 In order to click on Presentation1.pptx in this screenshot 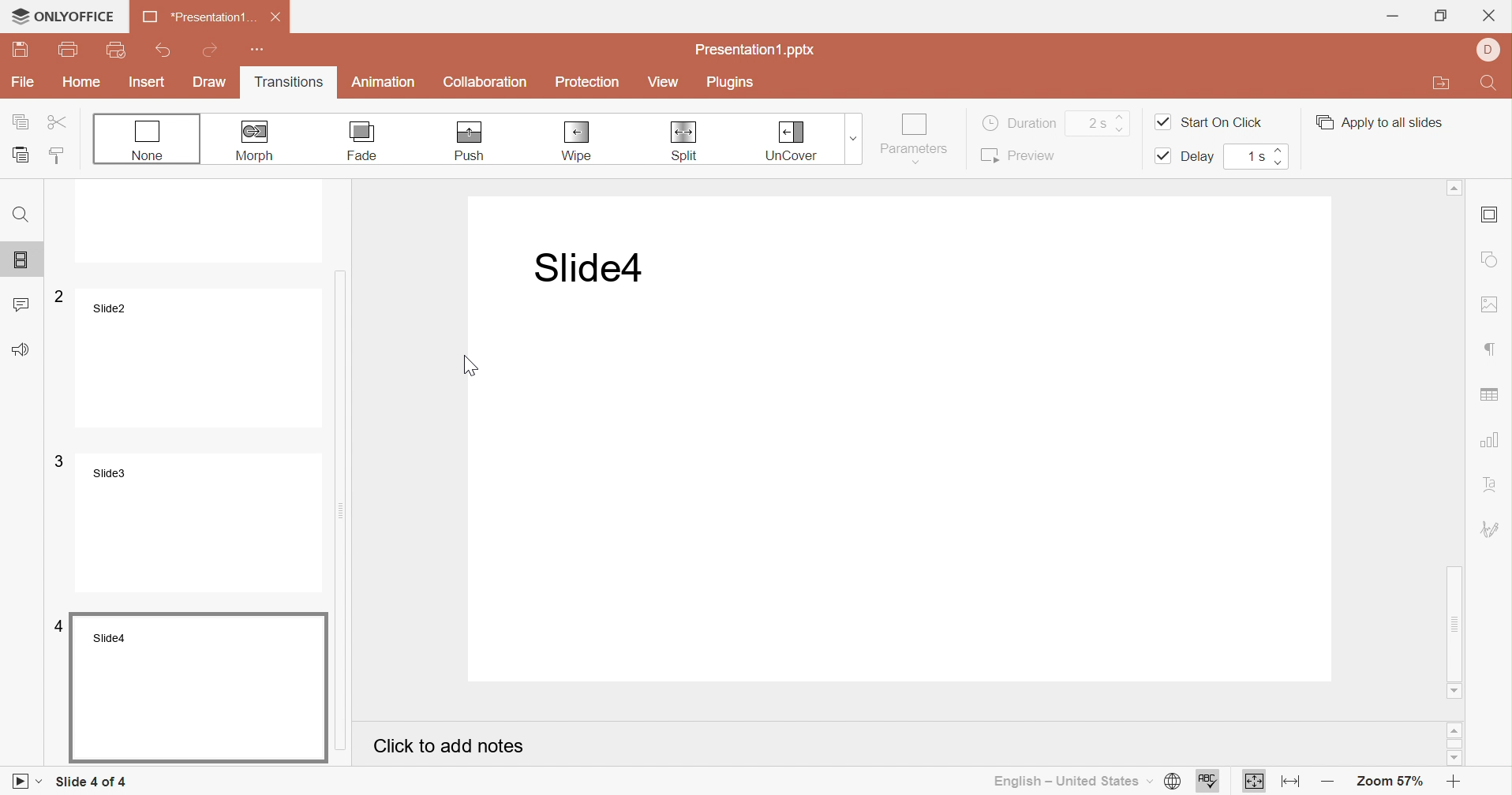, I will do `click(757, 51)`.